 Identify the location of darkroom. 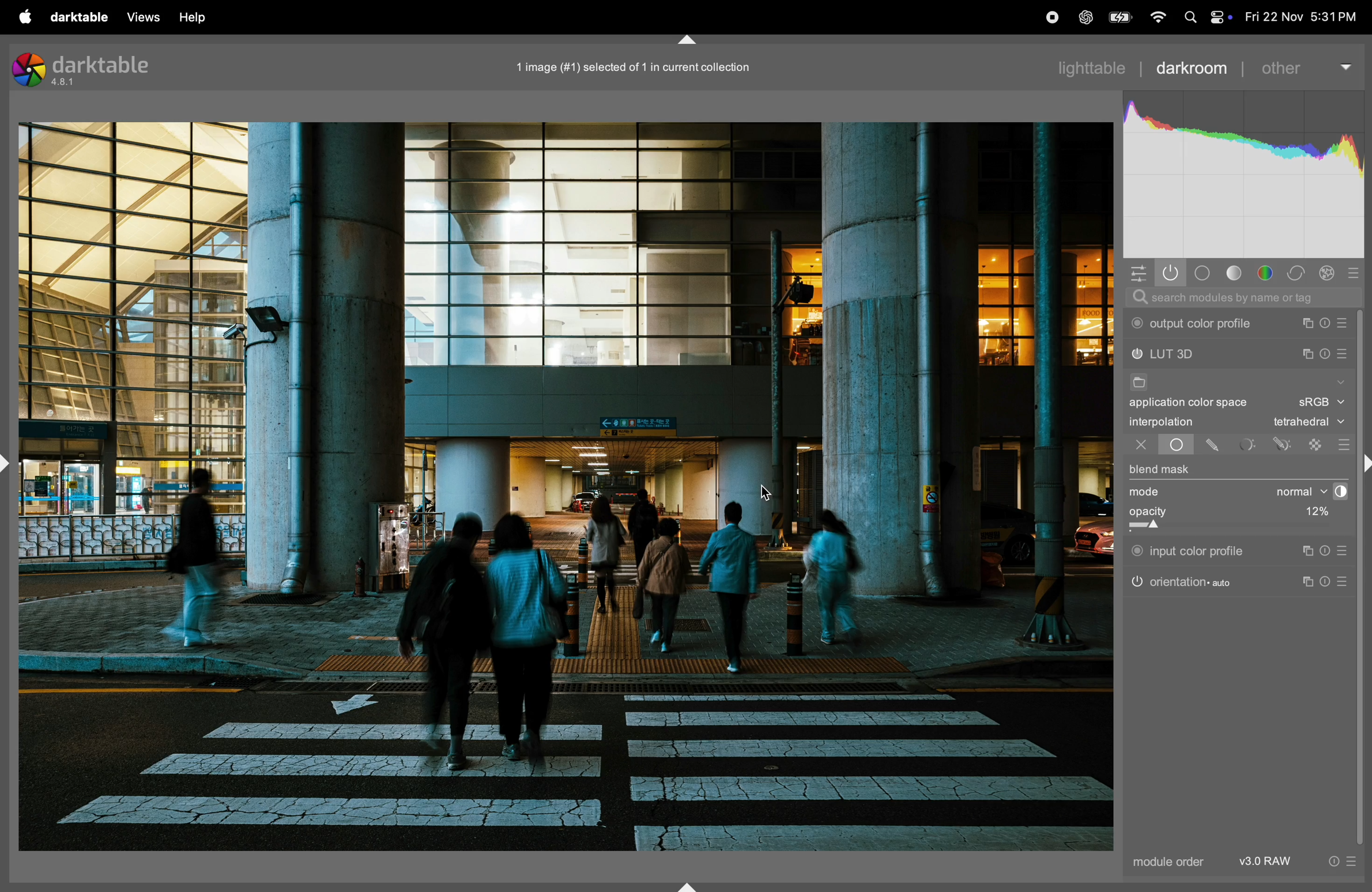
(1192, 66).